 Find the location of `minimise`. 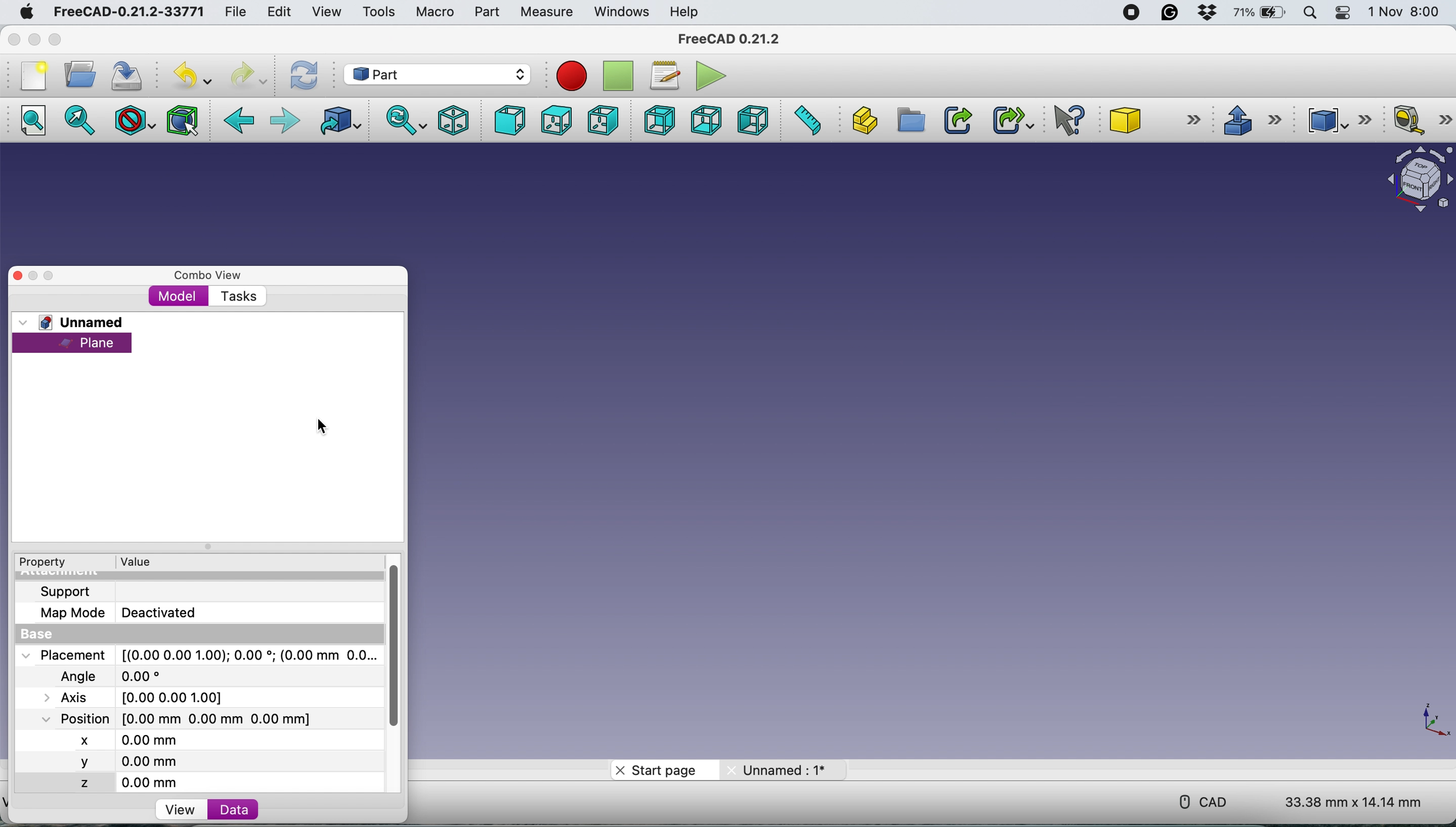

minimise is located at coordinates (34, 39).